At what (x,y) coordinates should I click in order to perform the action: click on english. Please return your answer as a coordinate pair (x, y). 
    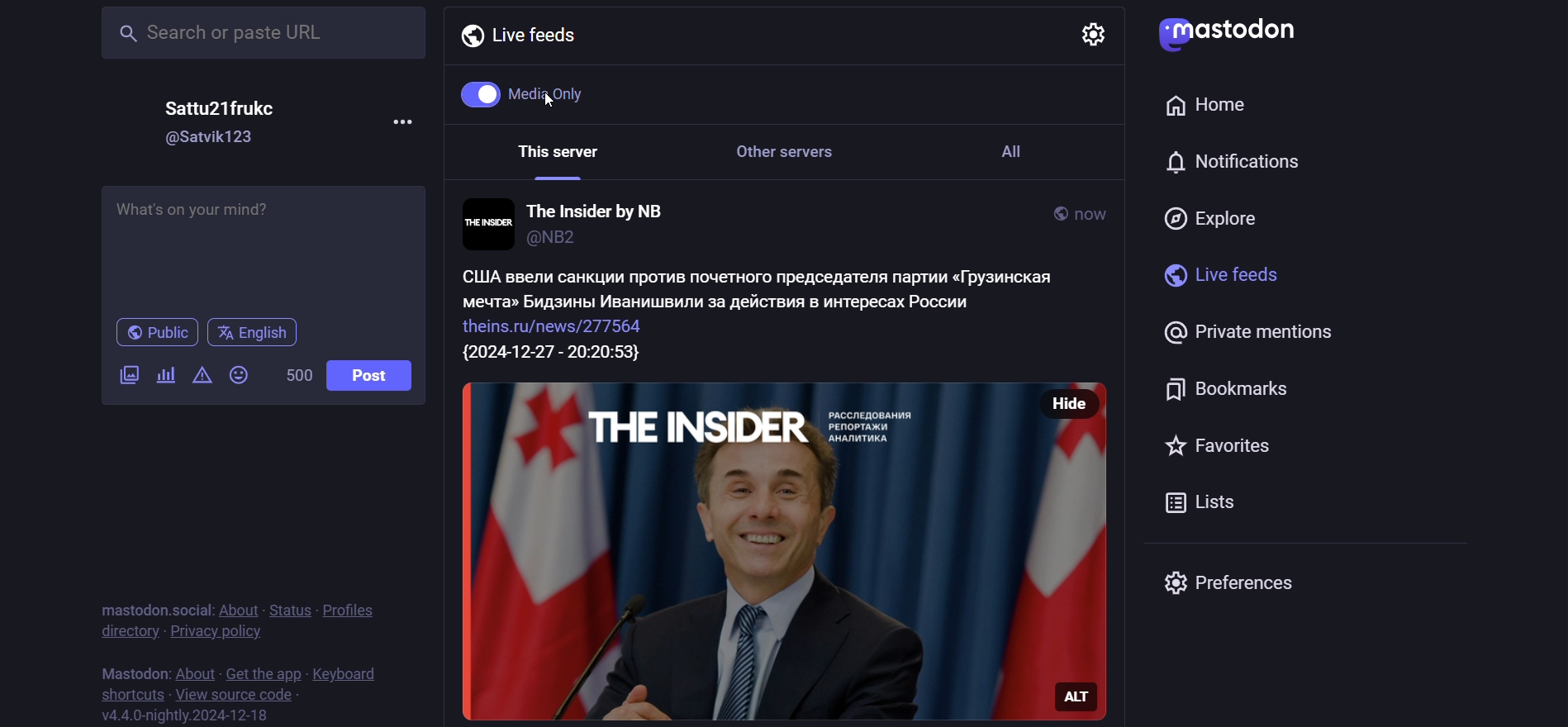
    Looking at the image, I should click on (257, 334).